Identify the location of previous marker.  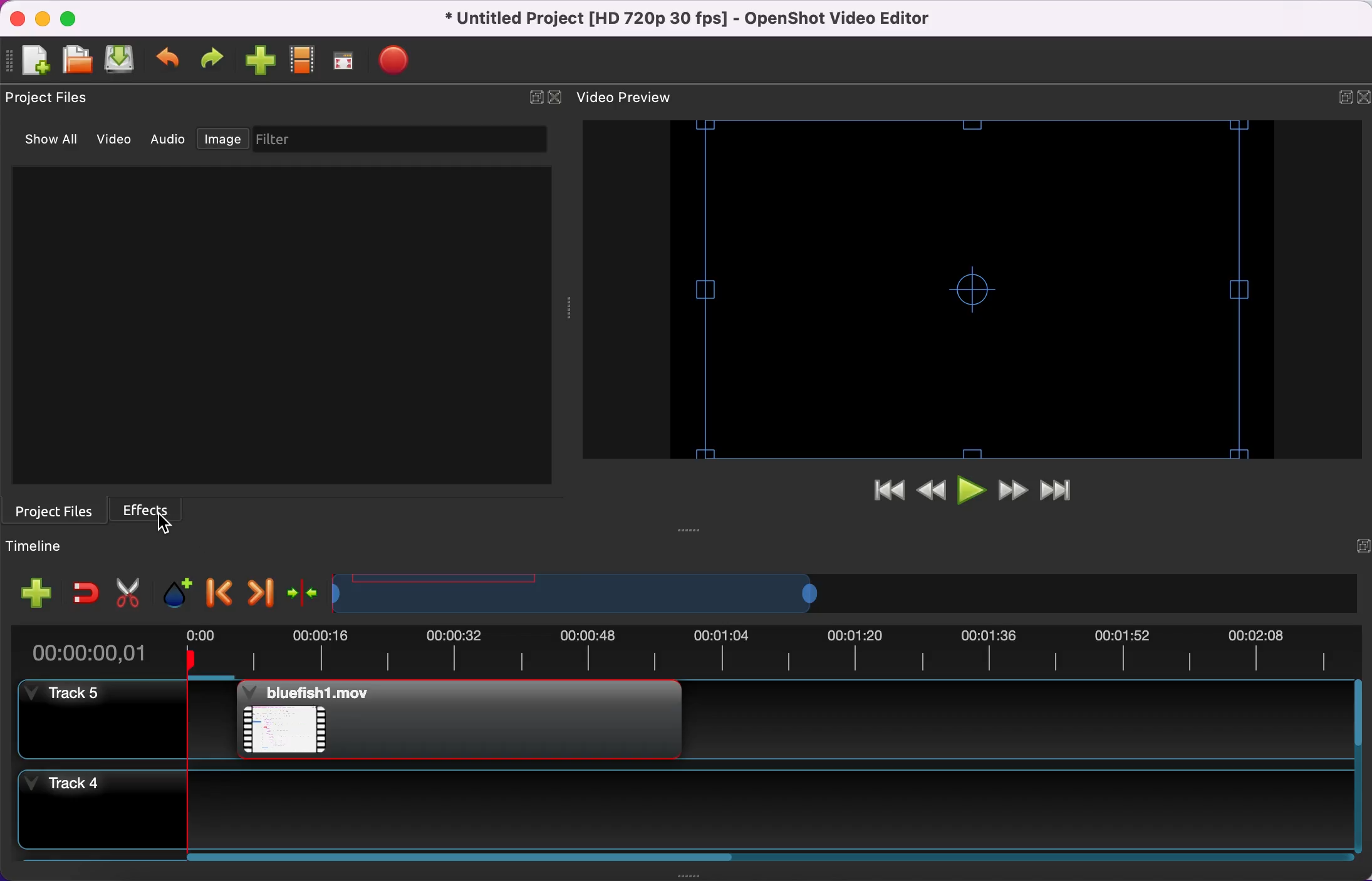
(218, 592).